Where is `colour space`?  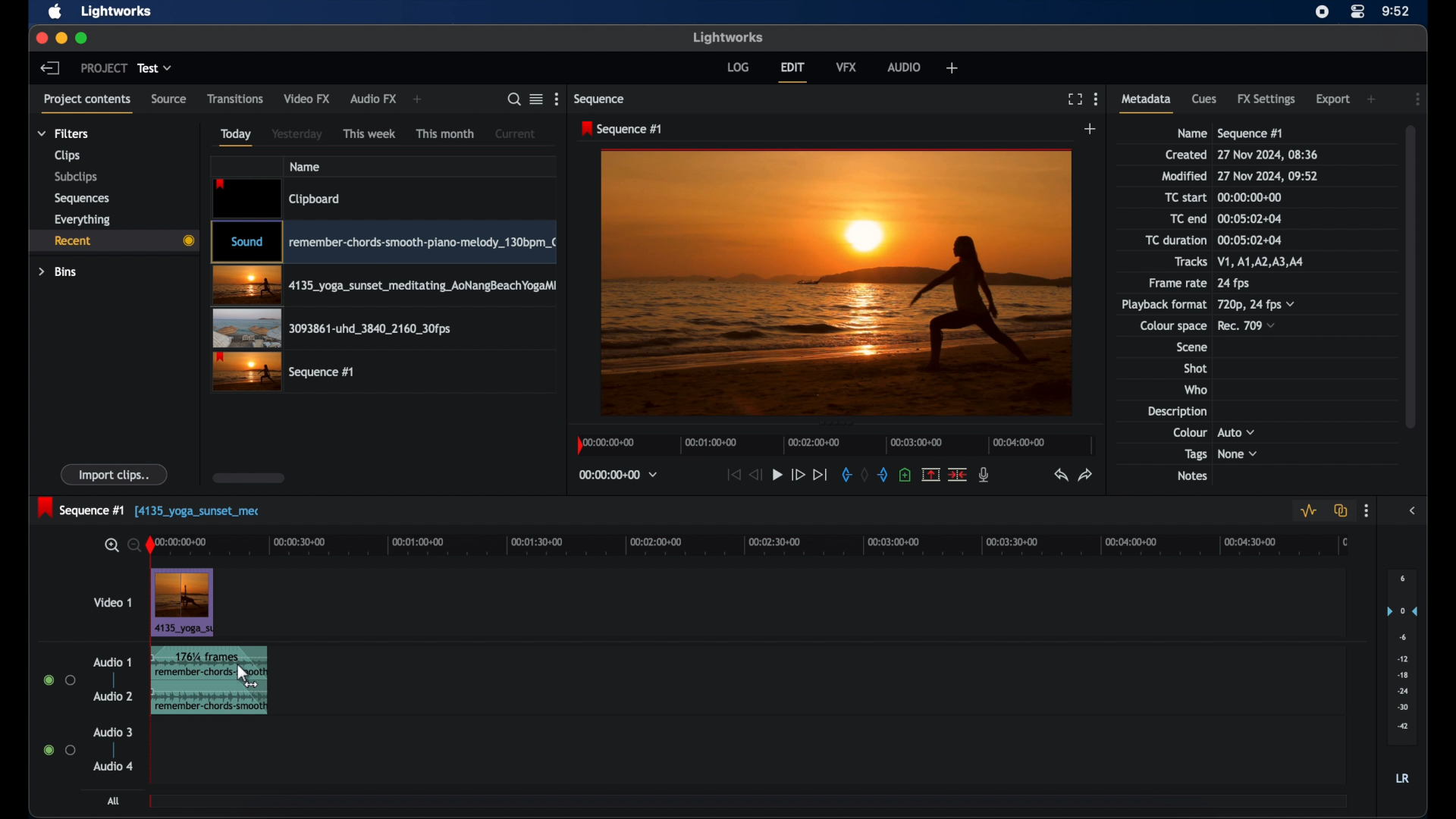 colour space is located at coordinates (1173, 326).